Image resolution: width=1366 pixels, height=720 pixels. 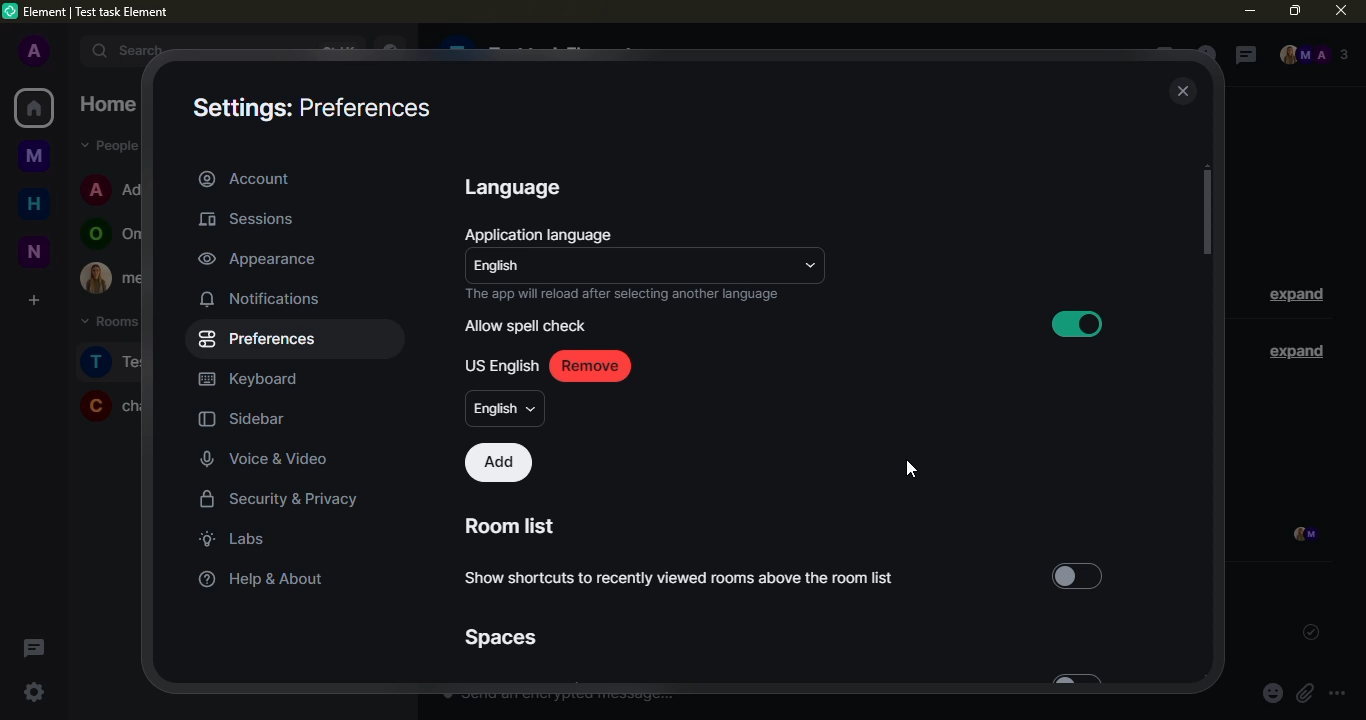 What do you see at coordinates (527, 325) in the screenshot?
I see `allow spell check` at bounding box center [527, 325].